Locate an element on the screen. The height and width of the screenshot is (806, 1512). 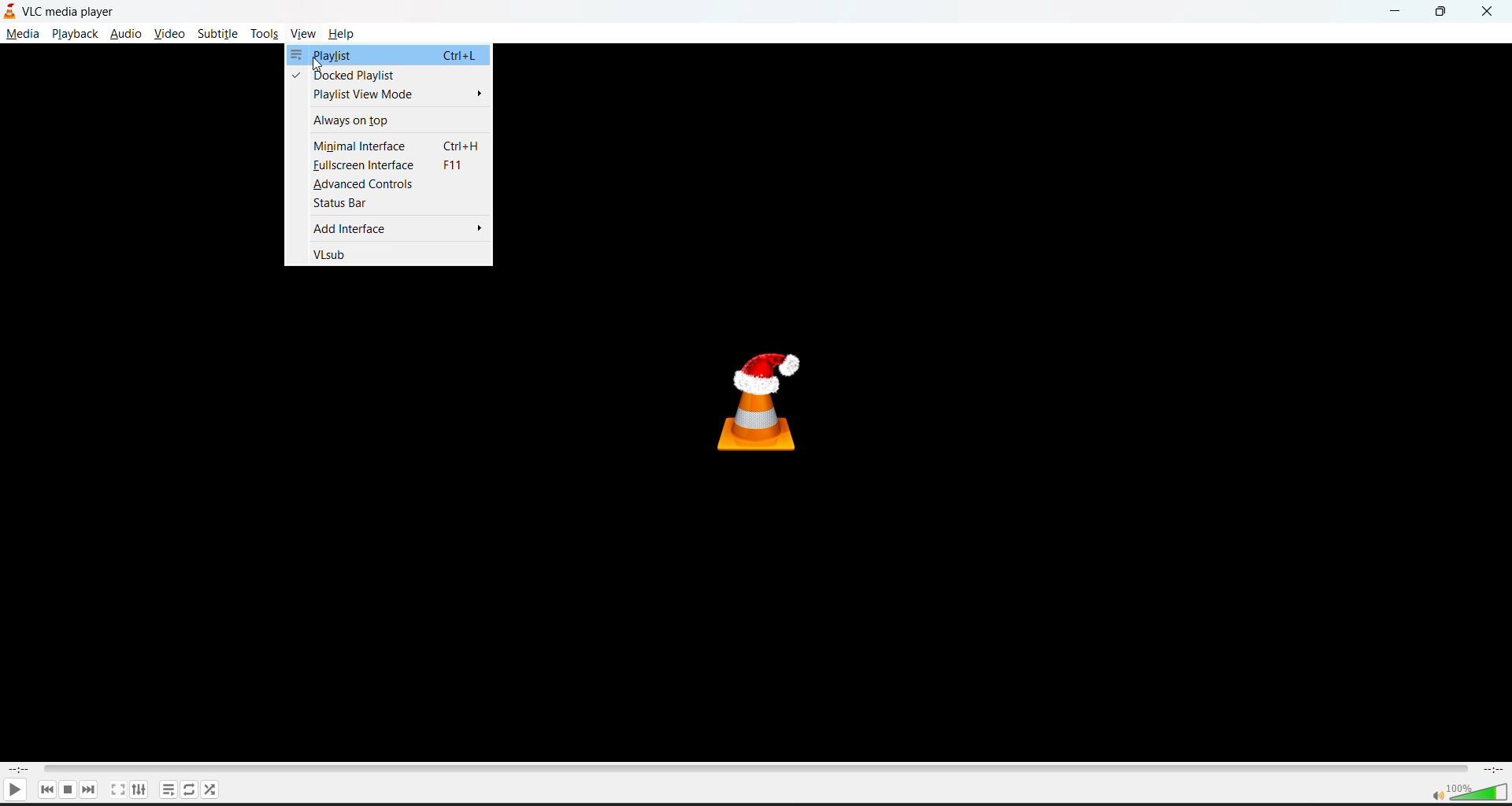
total track time is located at coordinates (1494, 771).